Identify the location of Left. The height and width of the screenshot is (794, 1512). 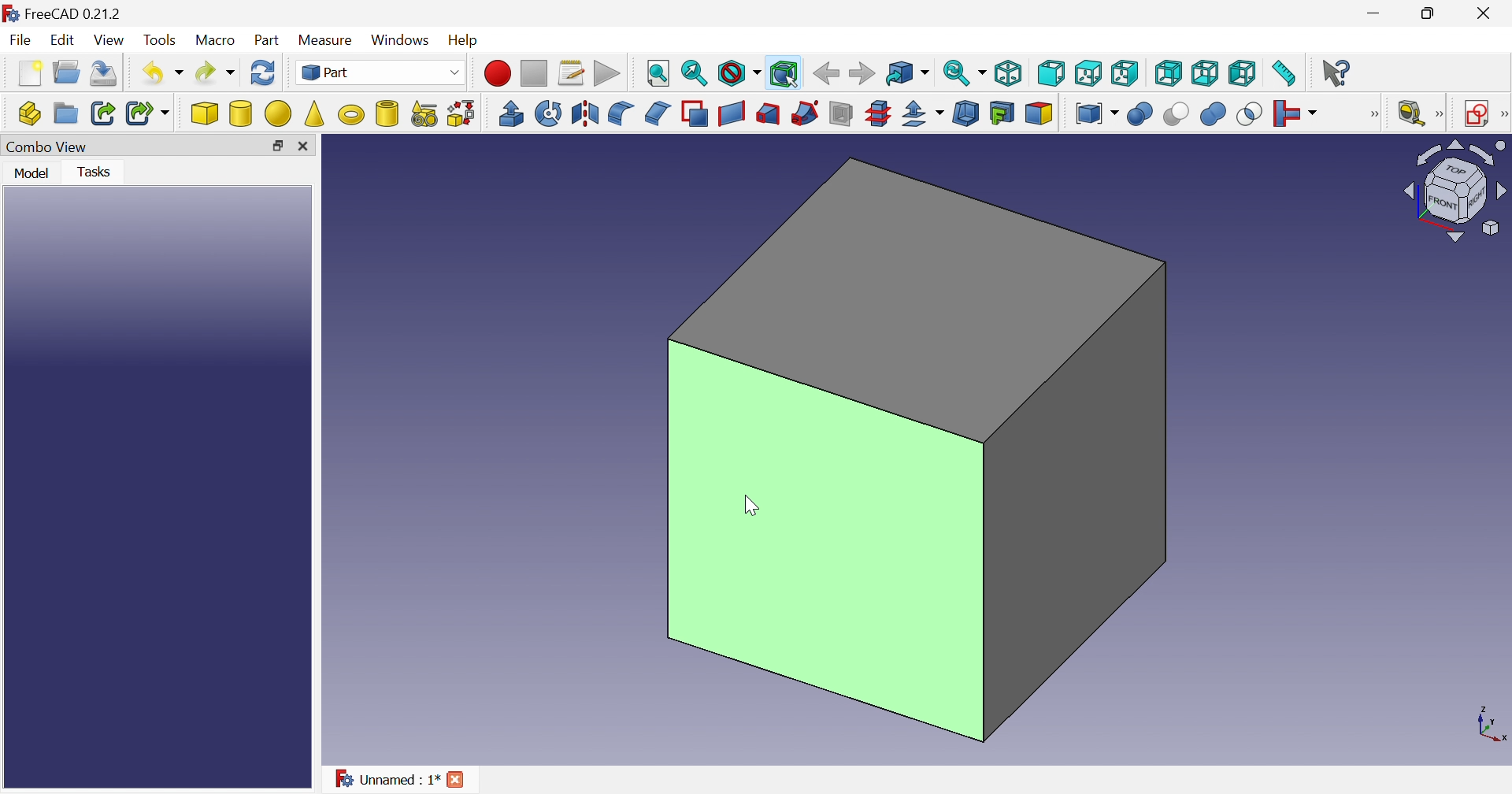
(1243, 74).